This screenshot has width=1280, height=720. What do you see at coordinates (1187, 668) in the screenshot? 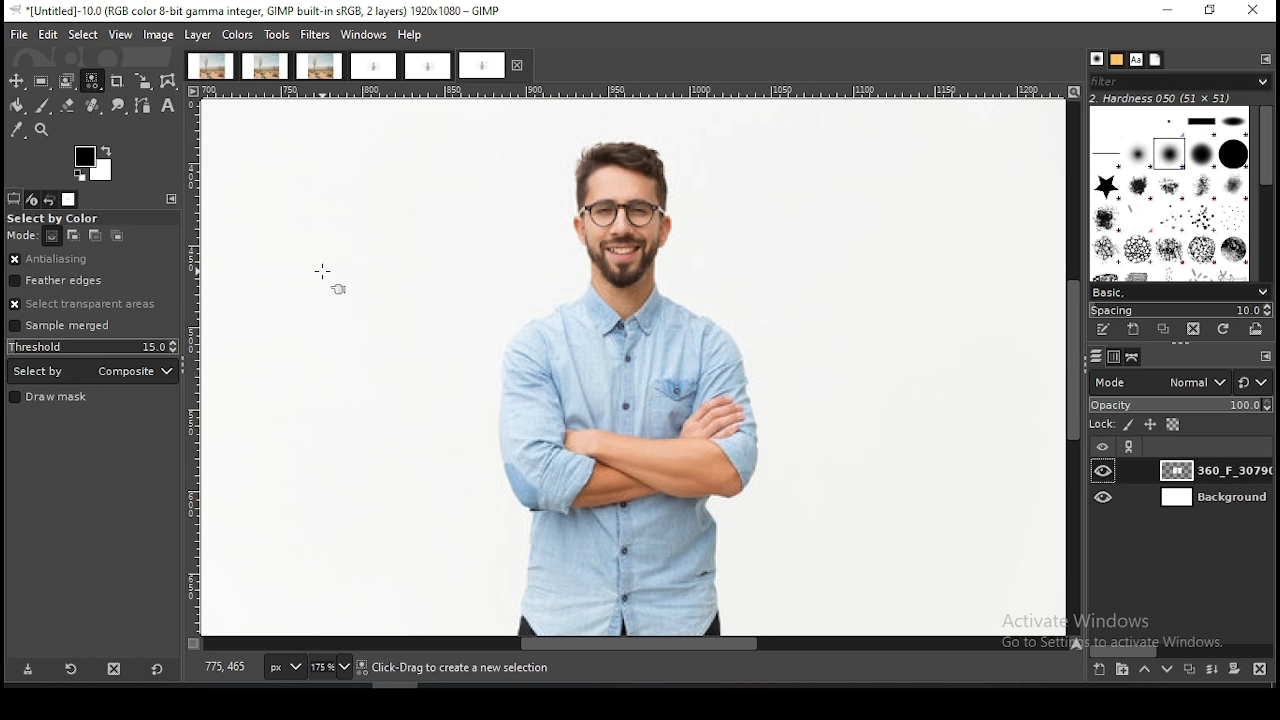
I see `duplicate layer` at bounding box center [1187, 668].